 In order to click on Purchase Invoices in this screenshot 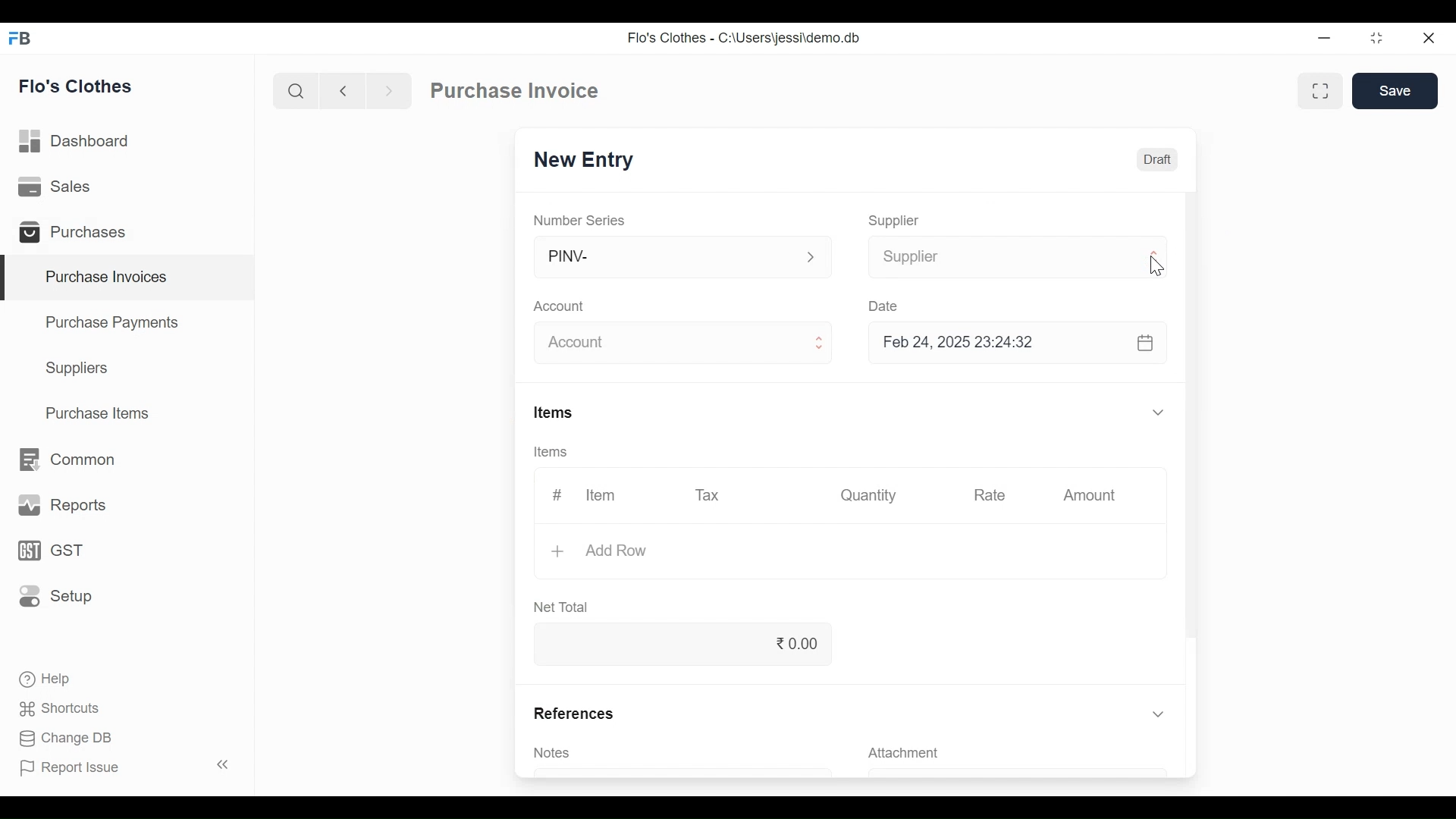, I will do `click(130, 278)`.